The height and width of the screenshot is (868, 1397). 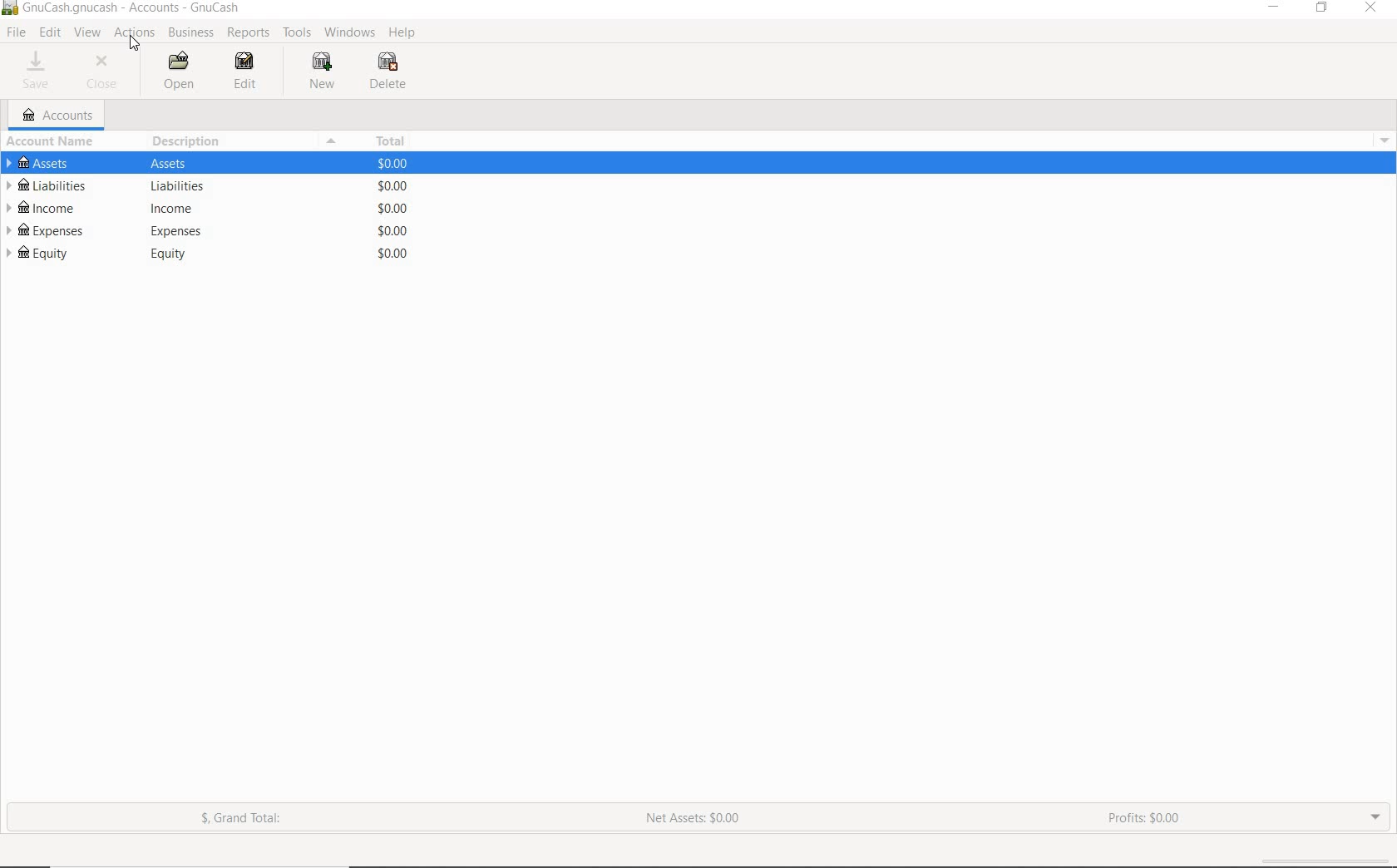 What do you see at coordinates (1376, 817) in the screenshot?
I see `EXPAND` at bounding box center [1376, 817].